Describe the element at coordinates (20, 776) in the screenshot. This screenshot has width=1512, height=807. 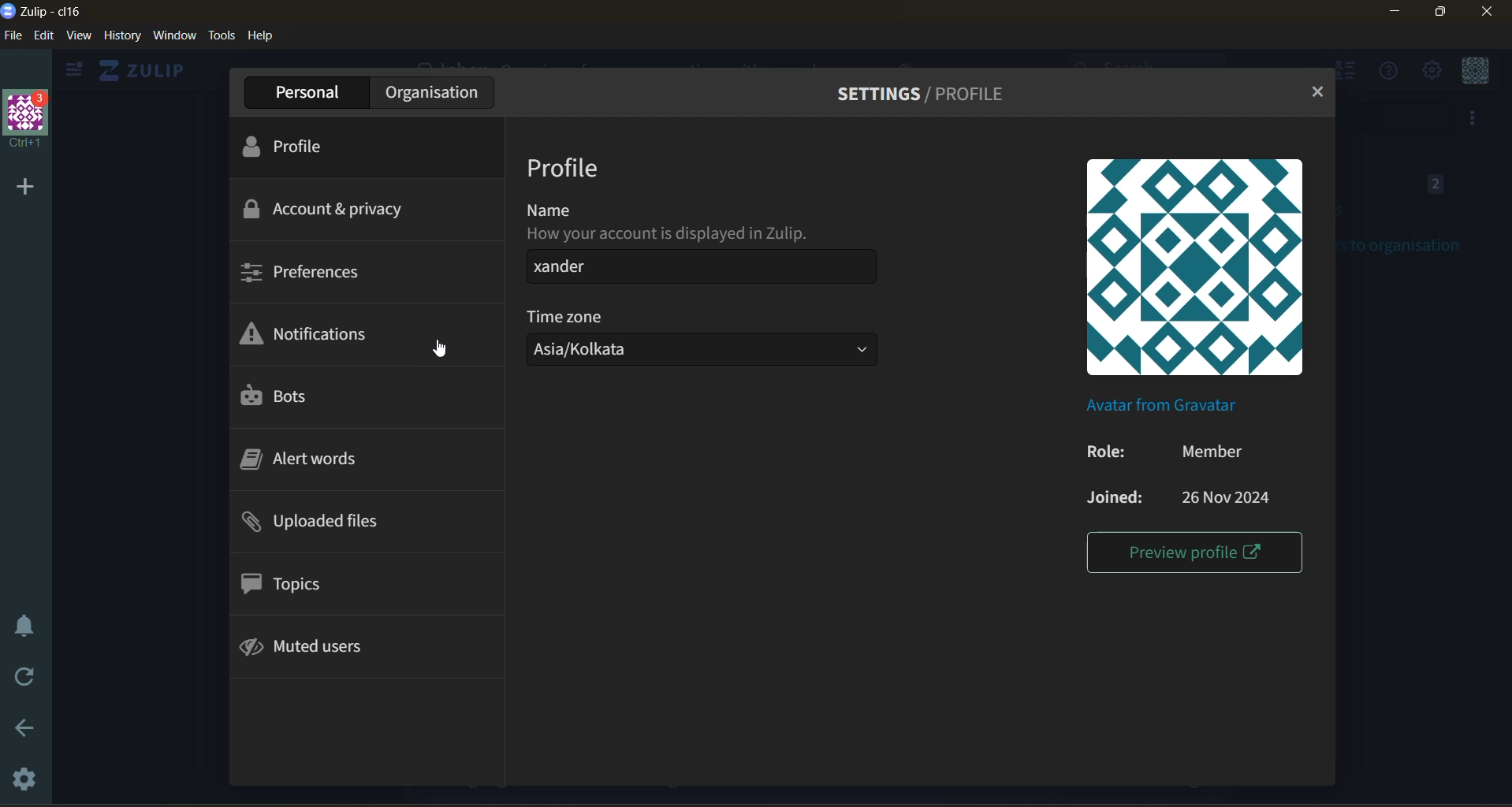
I see `settings` at that location.